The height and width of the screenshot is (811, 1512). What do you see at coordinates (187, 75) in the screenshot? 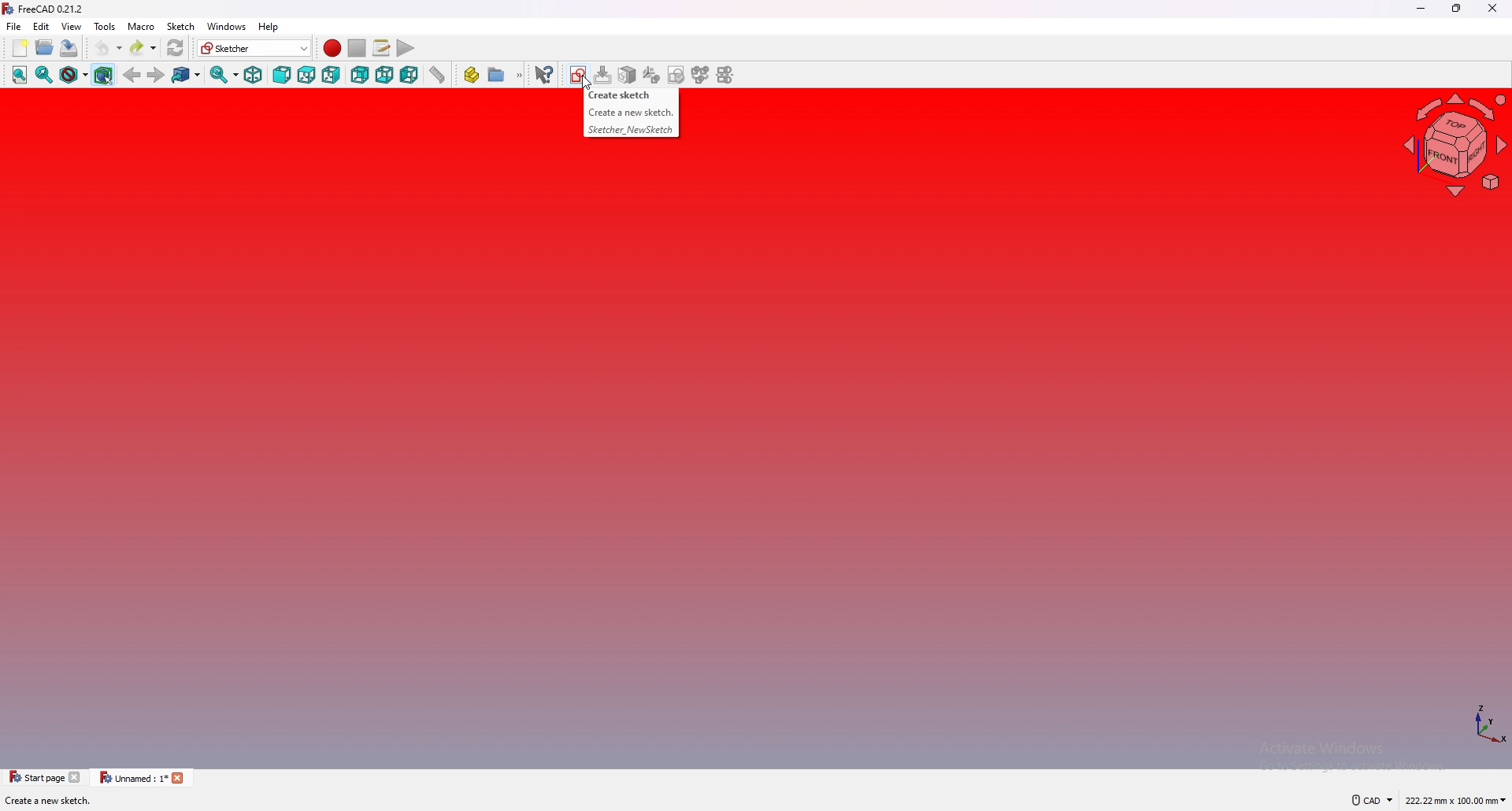
I see `goto linked object` at bounding box center [187, 75].